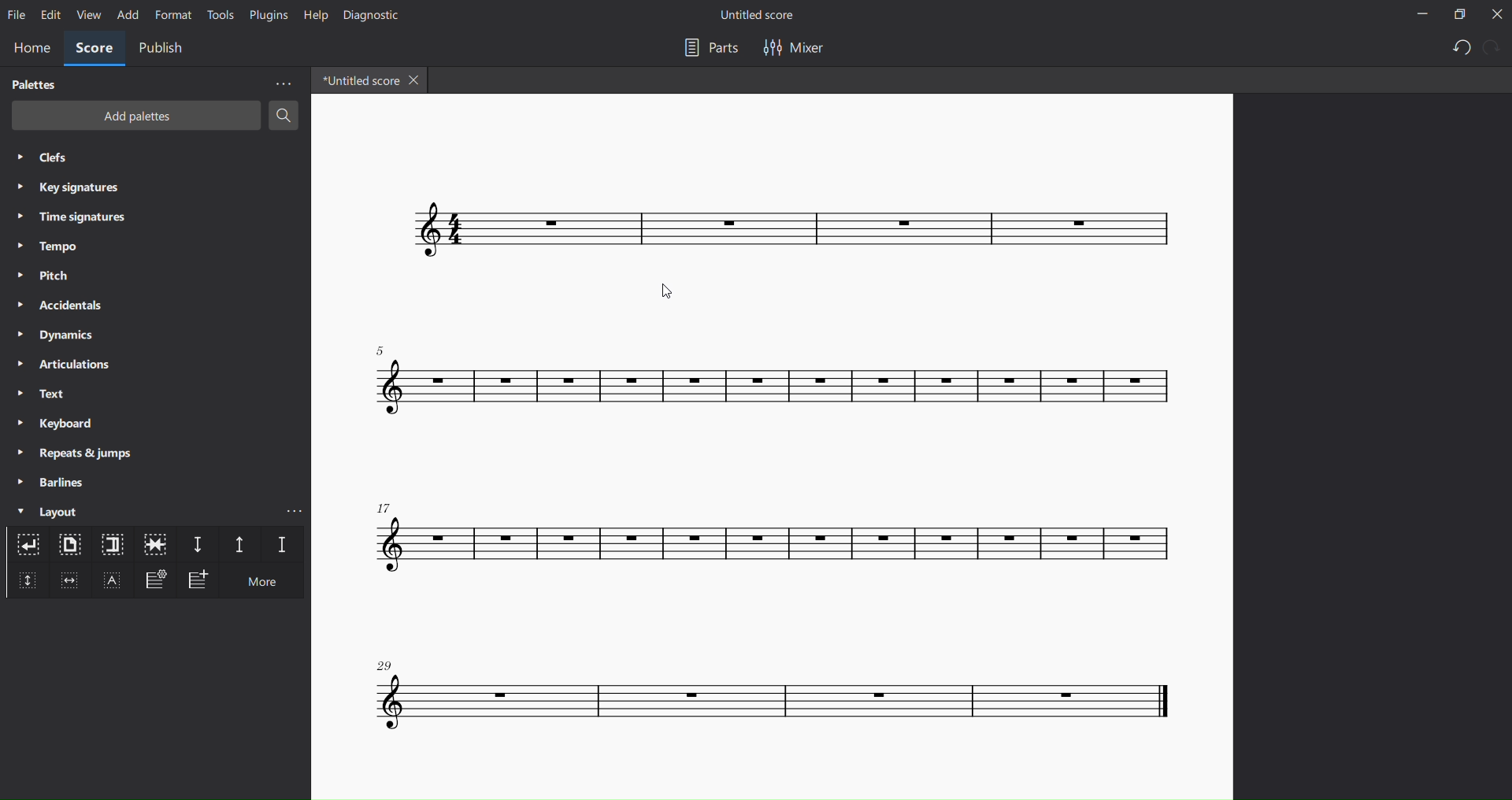 The image size is (1512, 800). What do you see at coordinates (28, 547) in the screenshot?
I see `system break layout` at bounding box center [28, 547].